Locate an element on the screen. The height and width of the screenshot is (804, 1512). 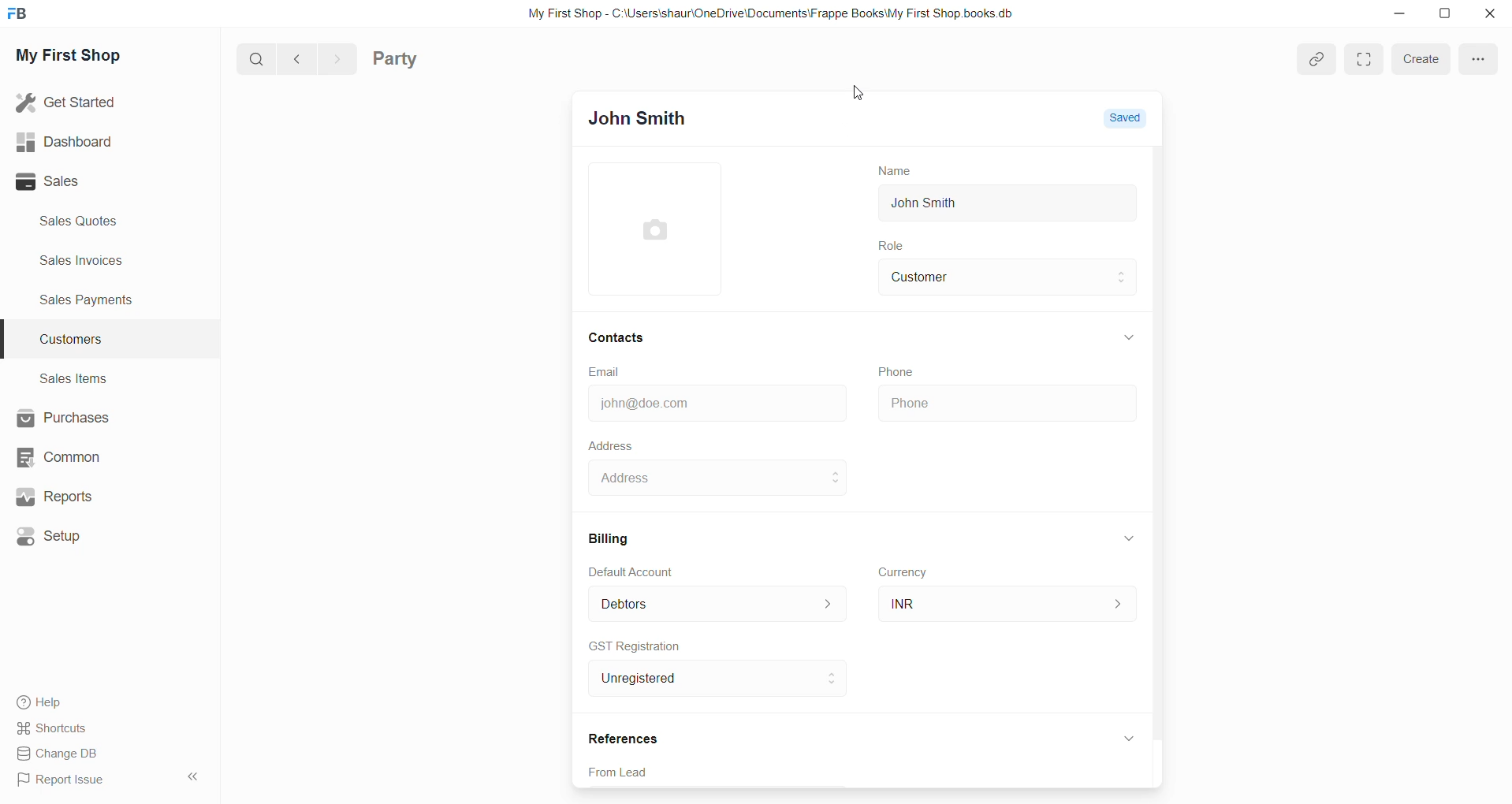
email Input box is located at coordinates (712, 400).